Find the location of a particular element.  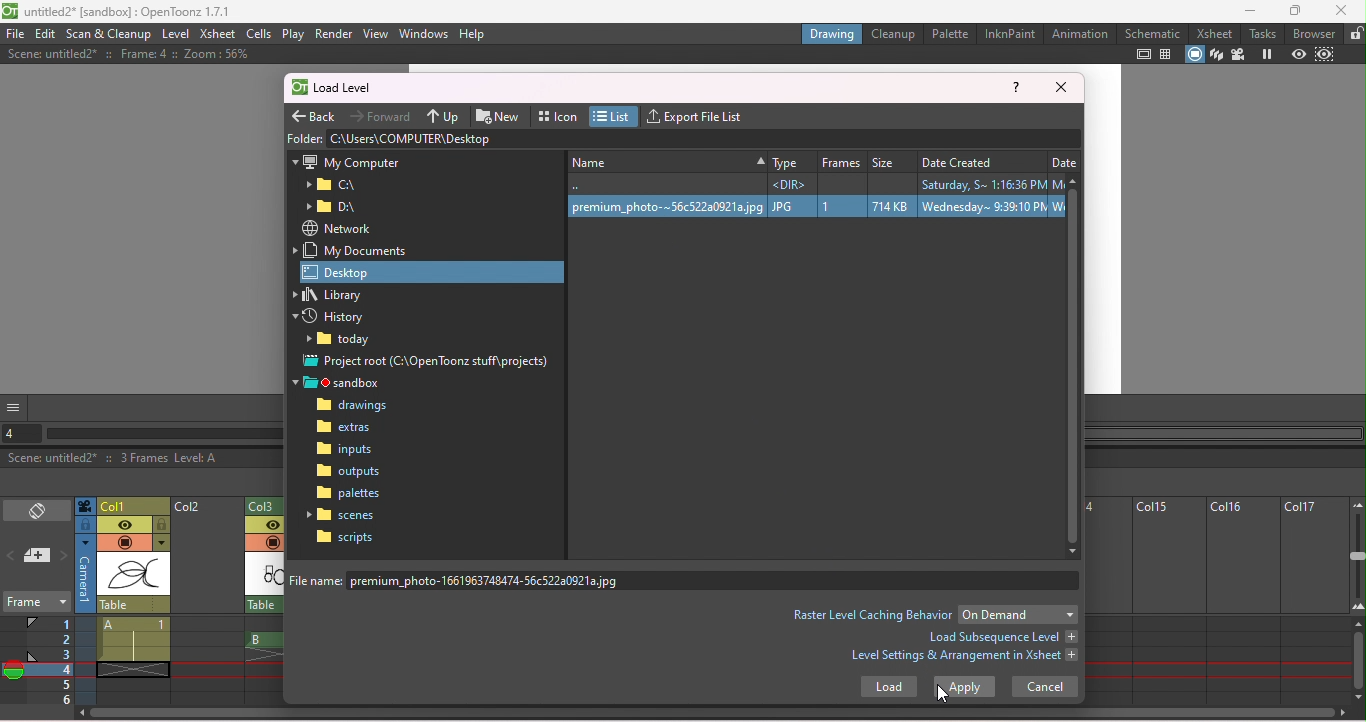

Scenes is located at coordinates (345, 514).